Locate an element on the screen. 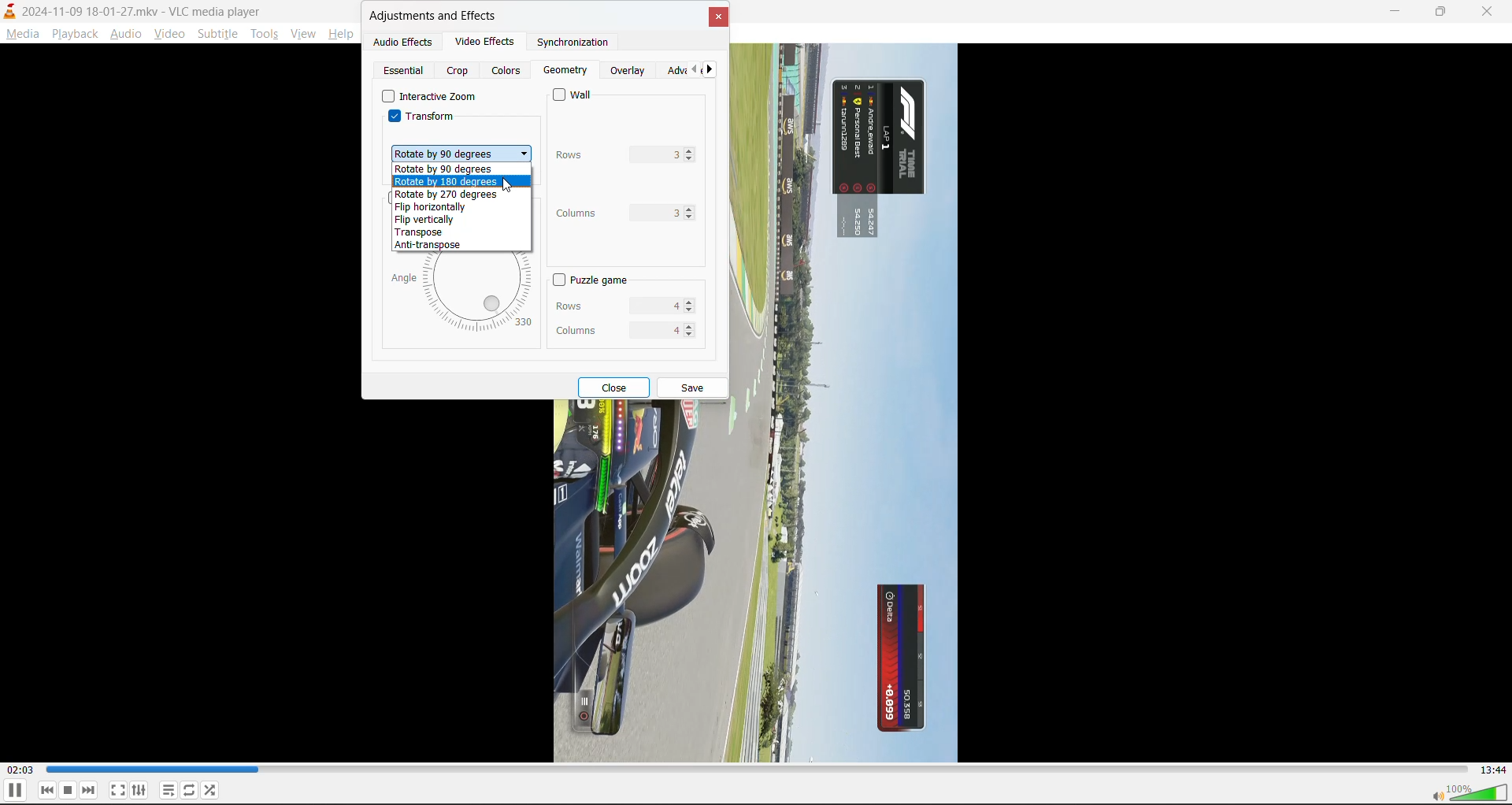 The width and height of the screenshot is (1512, 805). puzzle game is located at coordinates (588, 280).